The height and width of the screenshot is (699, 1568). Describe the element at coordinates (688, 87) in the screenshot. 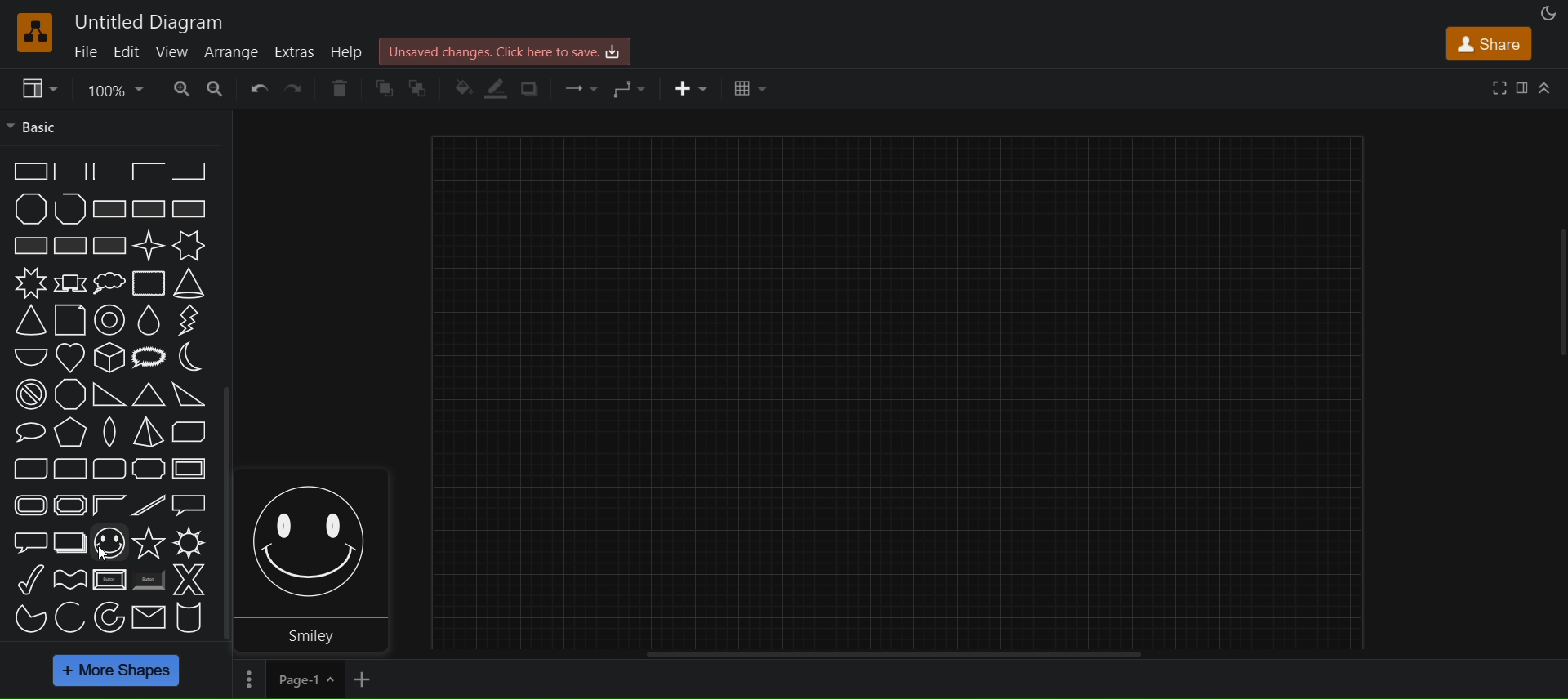

I see `insert` at that location.